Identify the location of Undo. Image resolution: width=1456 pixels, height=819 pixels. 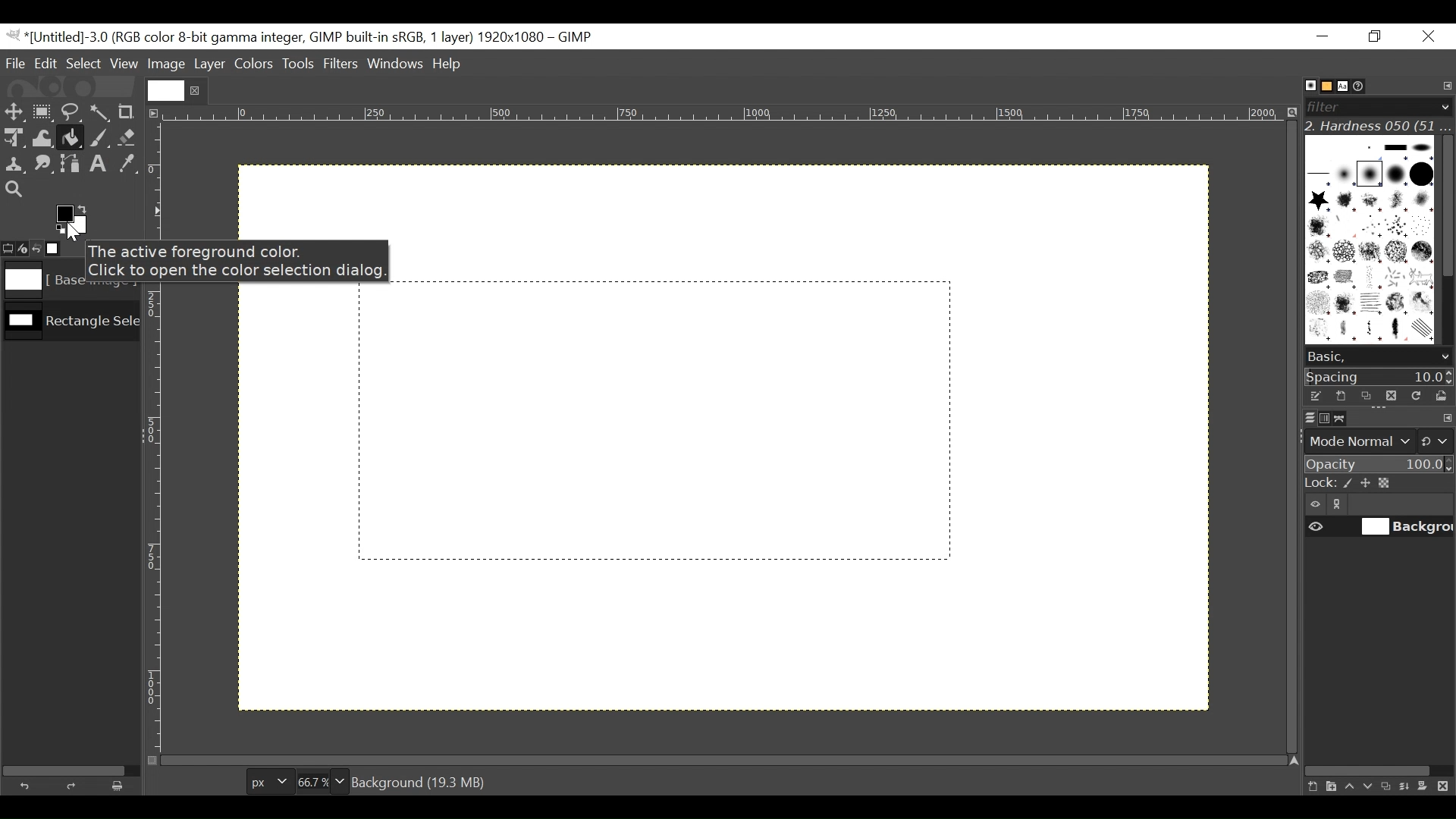
(28, 784).